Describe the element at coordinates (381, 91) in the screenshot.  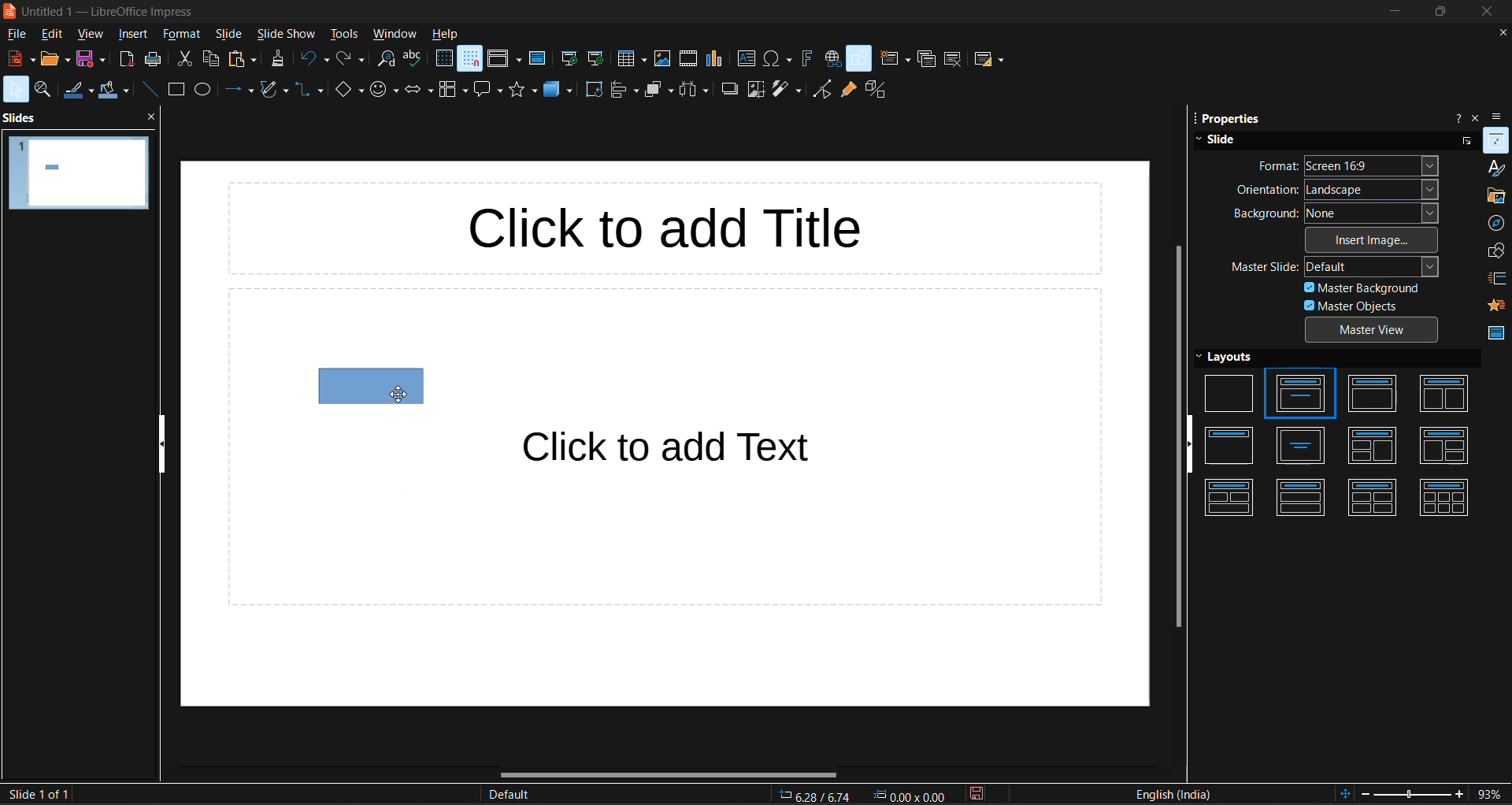
I see `symbol shapes` at that location.